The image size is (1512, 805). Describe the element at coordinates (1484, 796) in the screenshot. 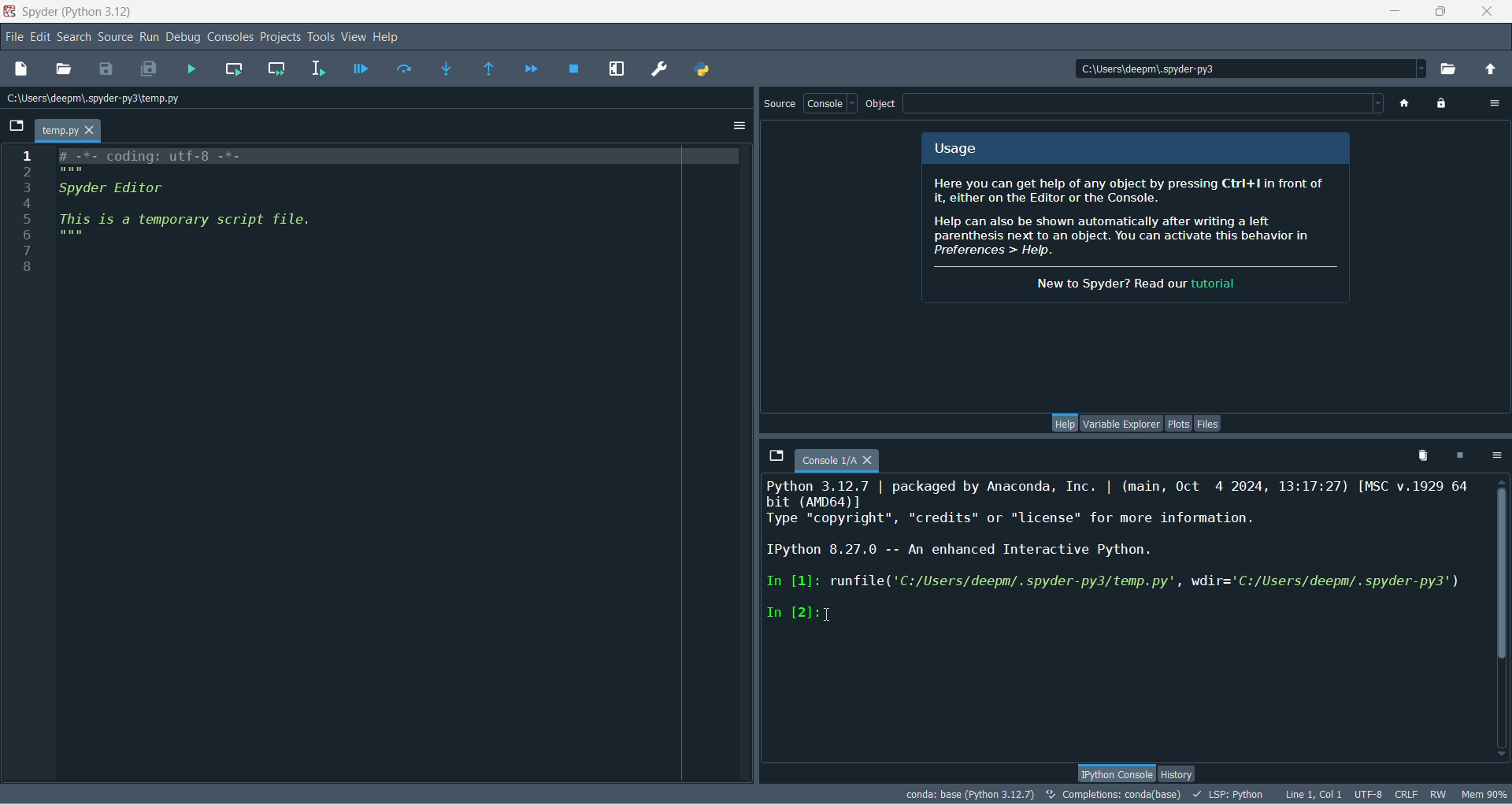

I see `Mem` at that location.